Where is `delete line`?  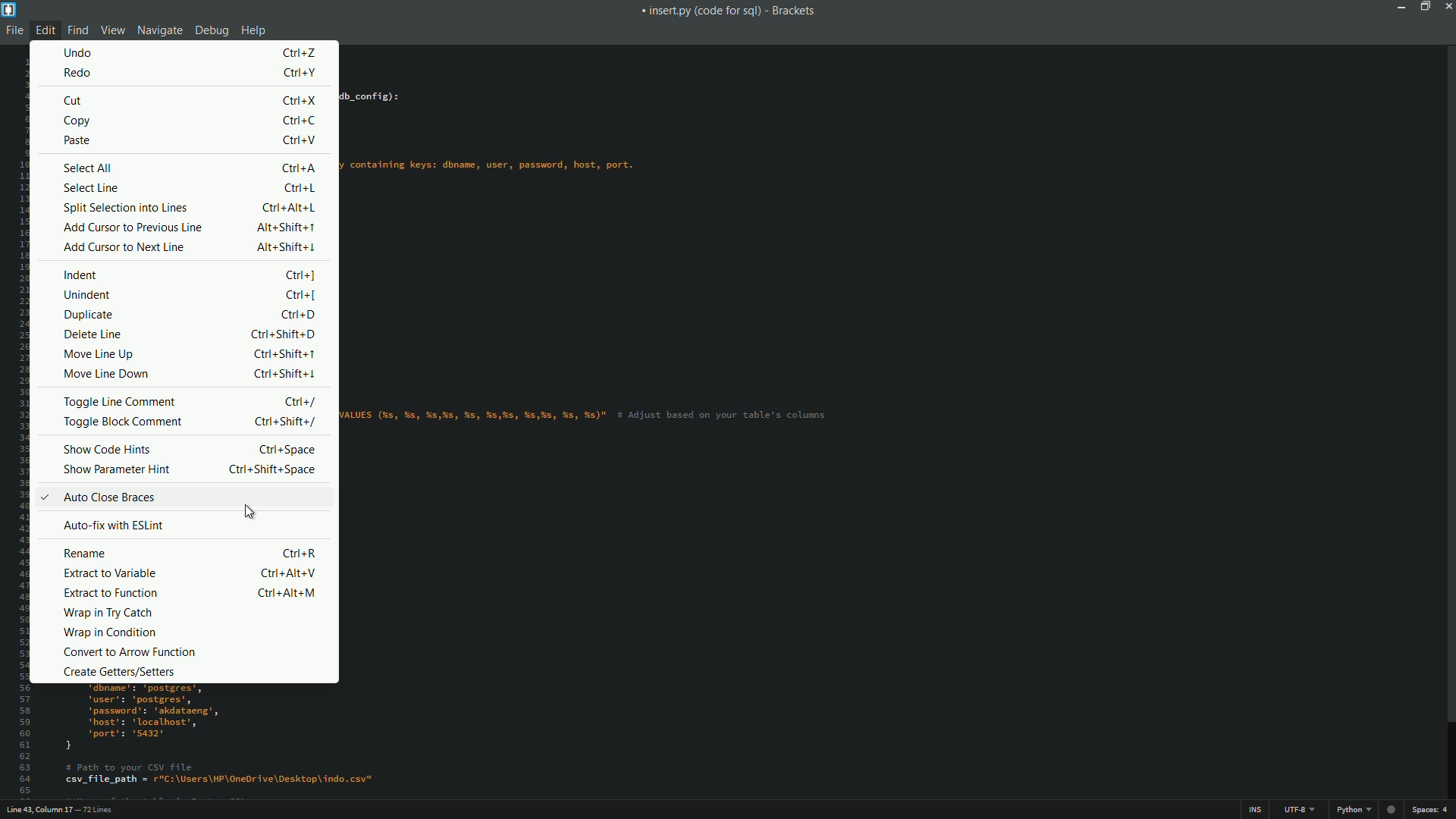
delete line is located at coordinates (93, 334).